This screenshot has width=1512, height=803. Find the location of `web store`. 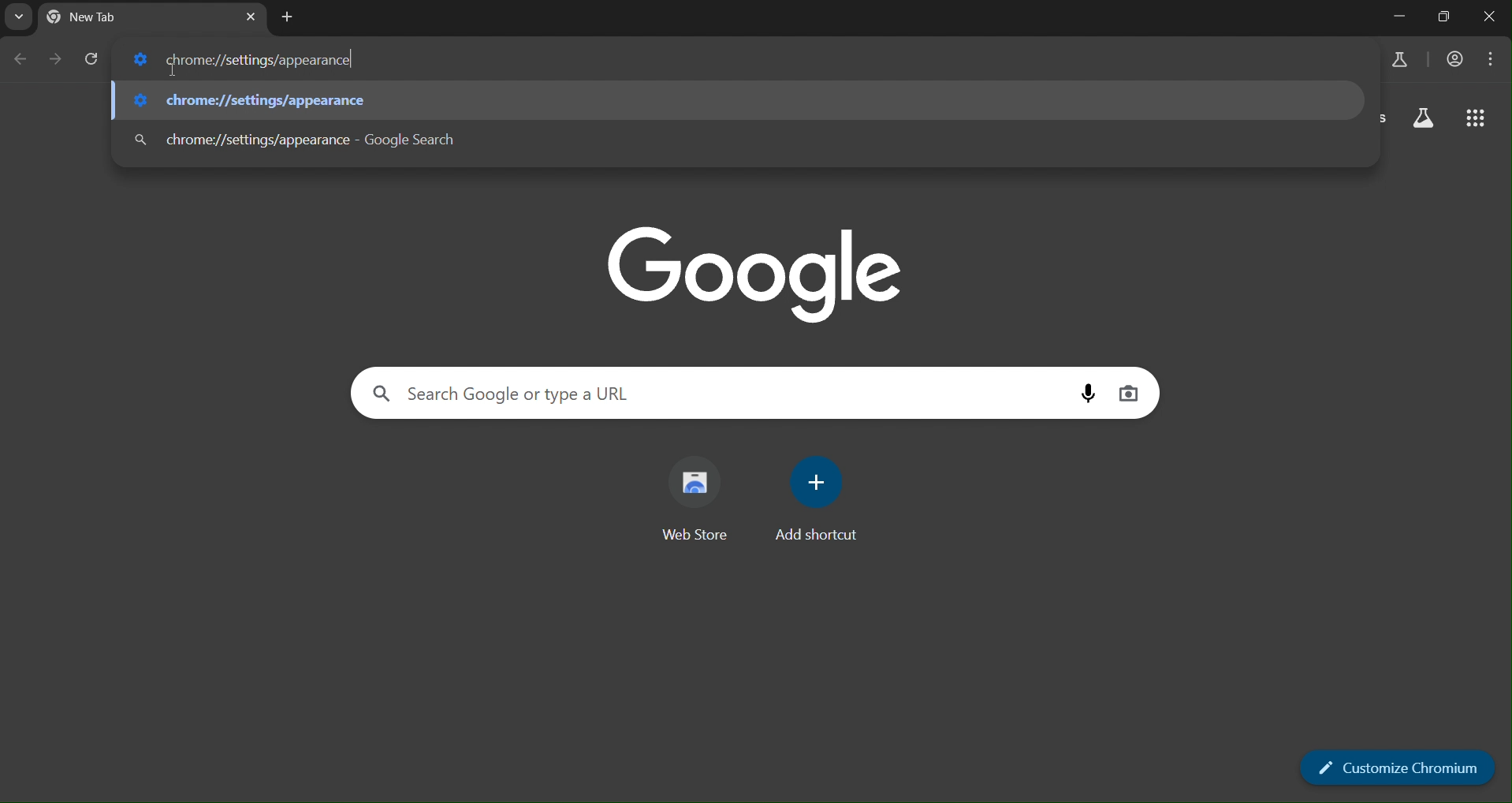

web store is located at coordinates (703, 501).